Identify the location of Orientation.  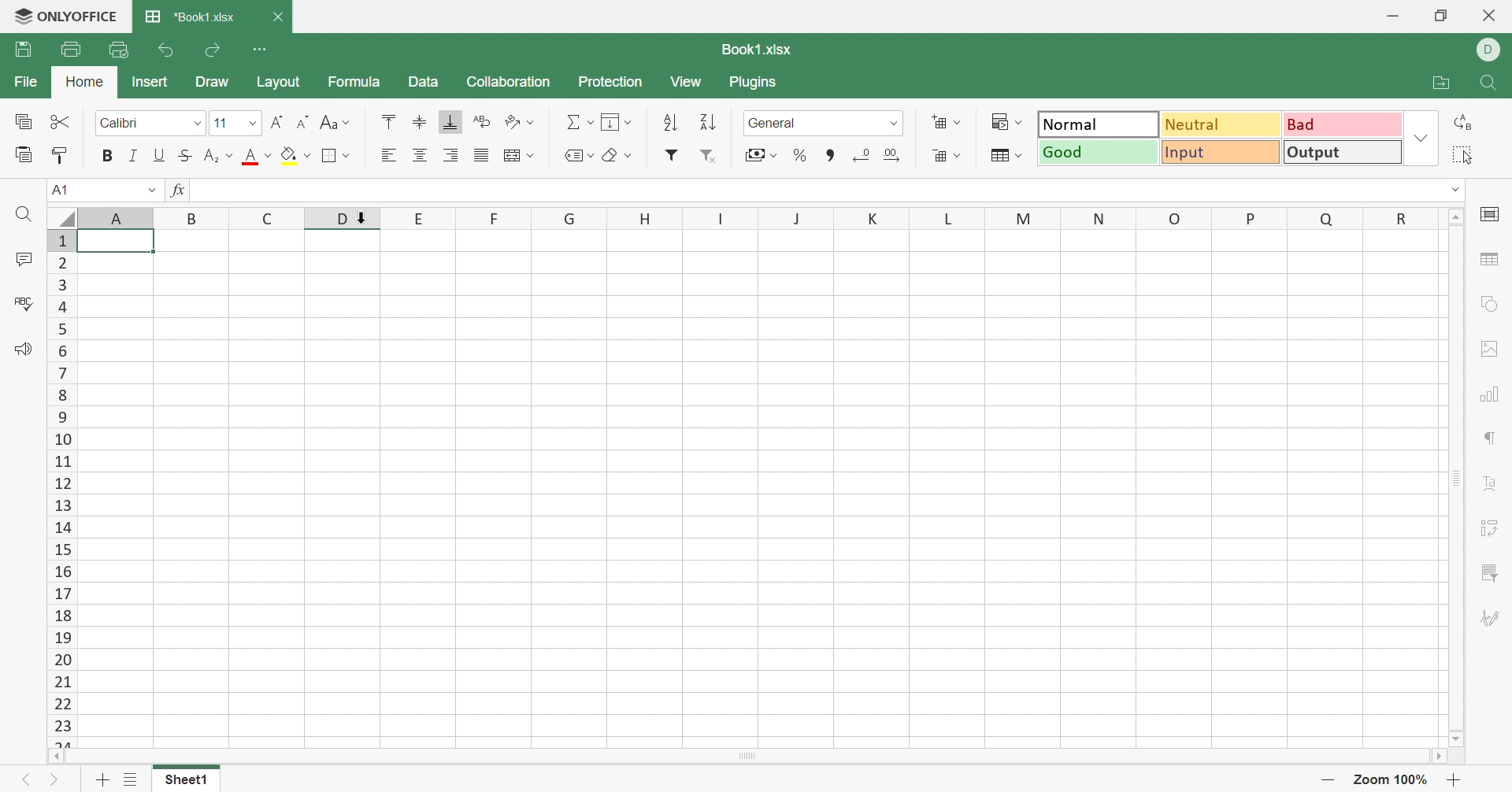
(510, 121).